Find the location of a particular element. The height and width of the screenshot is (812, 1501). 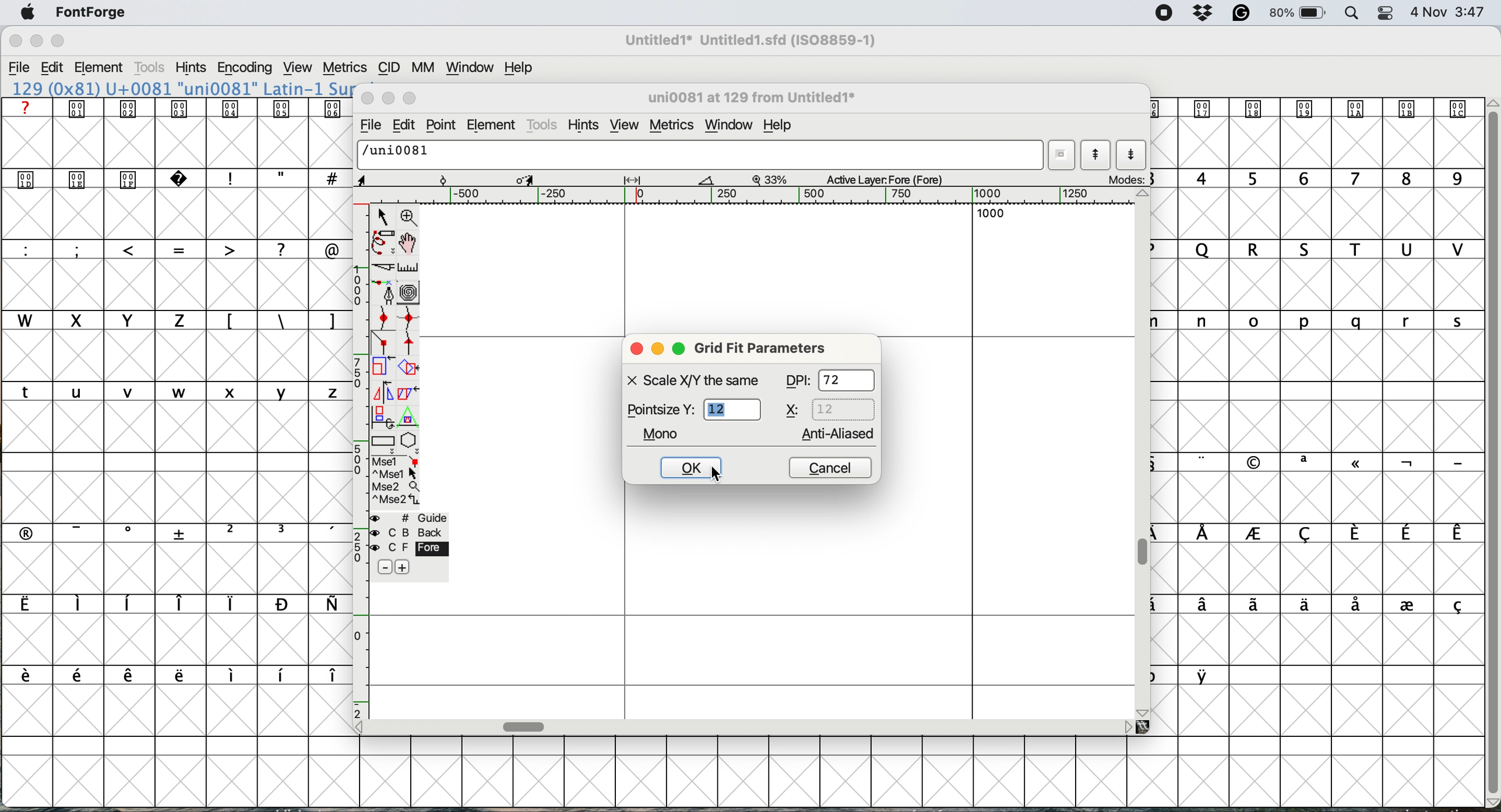

help is located at coordinates (778, 125).